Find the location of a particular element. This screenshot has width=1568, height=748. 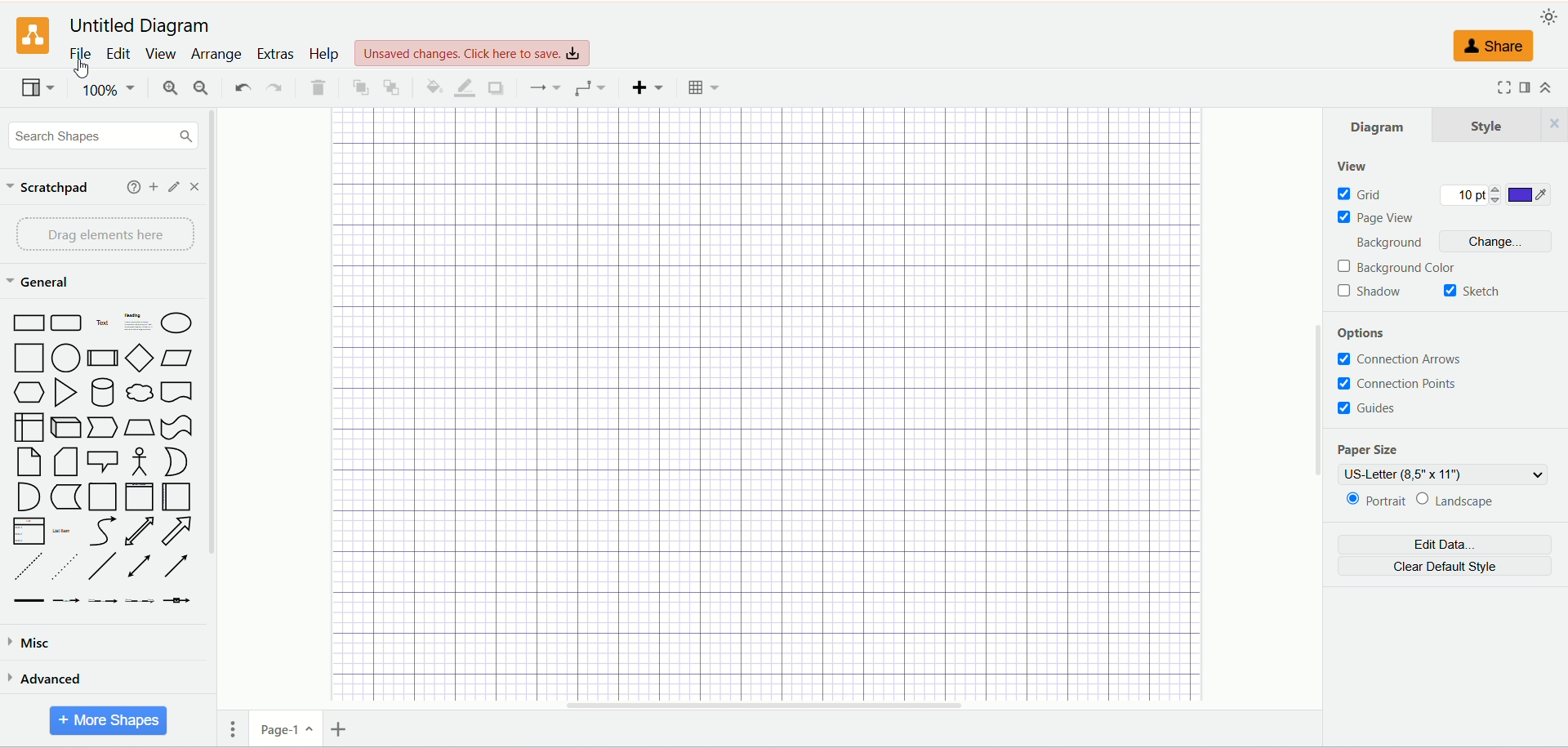

Line is located at coordinates (103, 567).